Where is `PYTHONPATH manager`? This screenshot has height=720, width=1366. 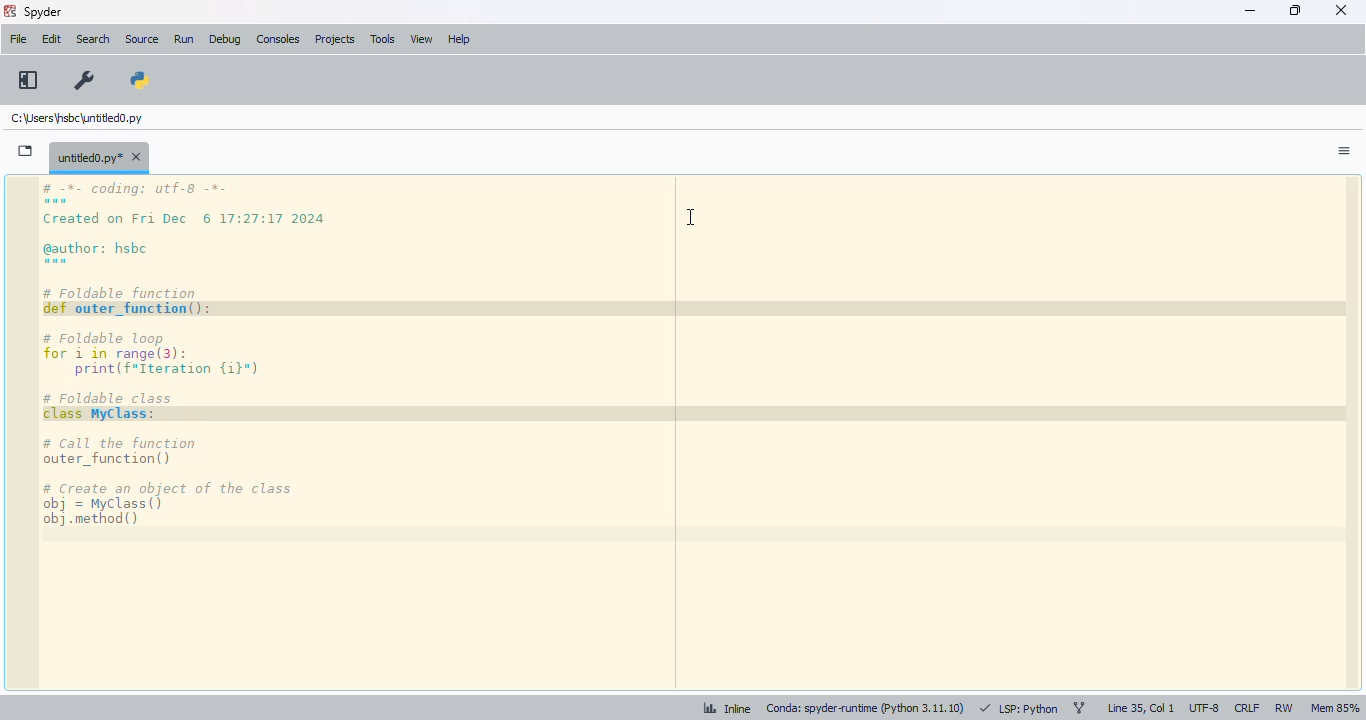
PYTHONPATH manager is located at coordinates (140, 80).